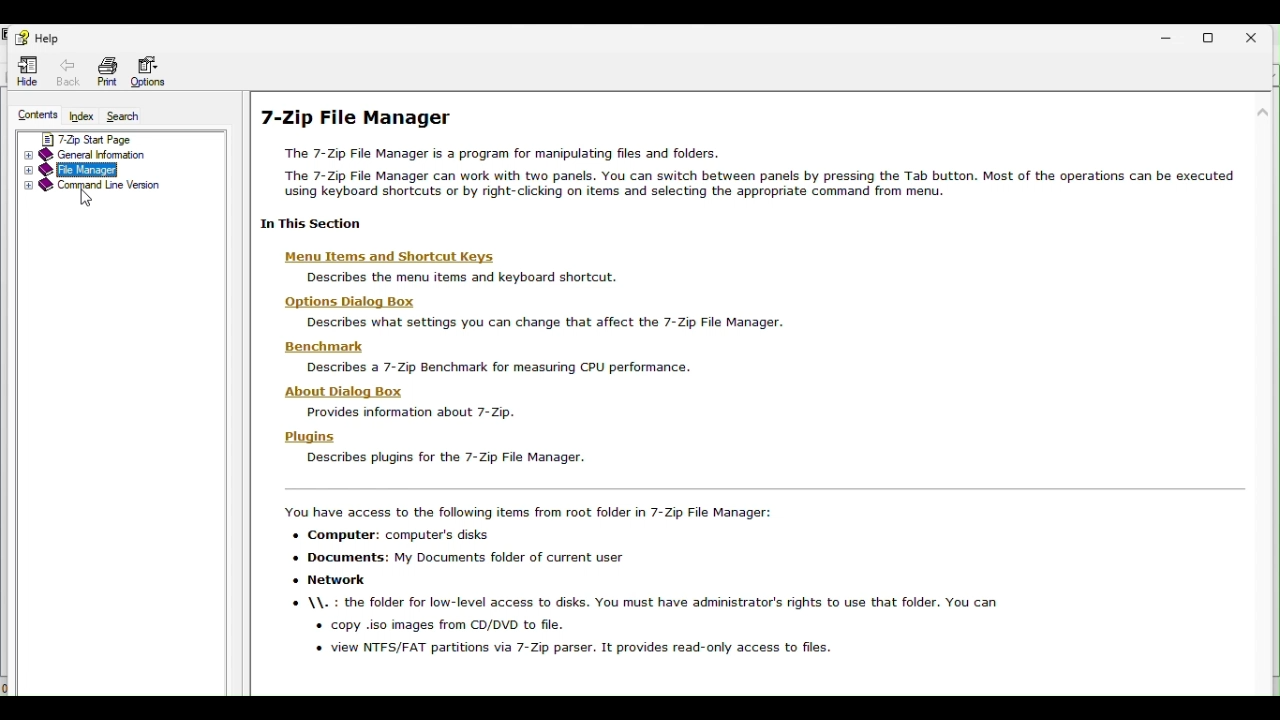 Image resolution: width=1280 pixels, height=720 pixels. Describe the element at coordinates (492, 368) in the screenshot. I see `Describes a 7-Zip Benchmark for measunng CPU performance.` at that location.